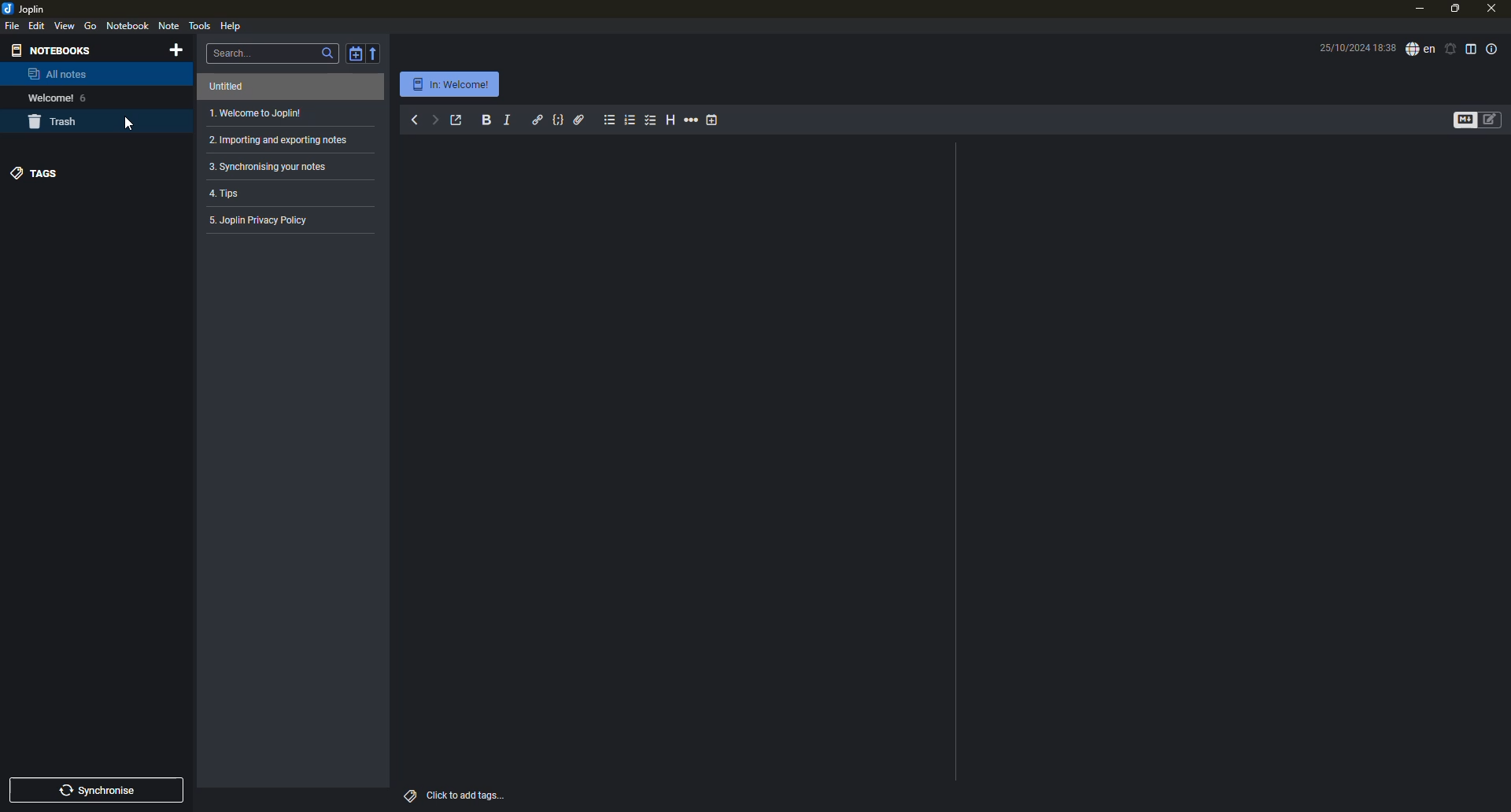  I want to click on cursor, so click(128, 127).